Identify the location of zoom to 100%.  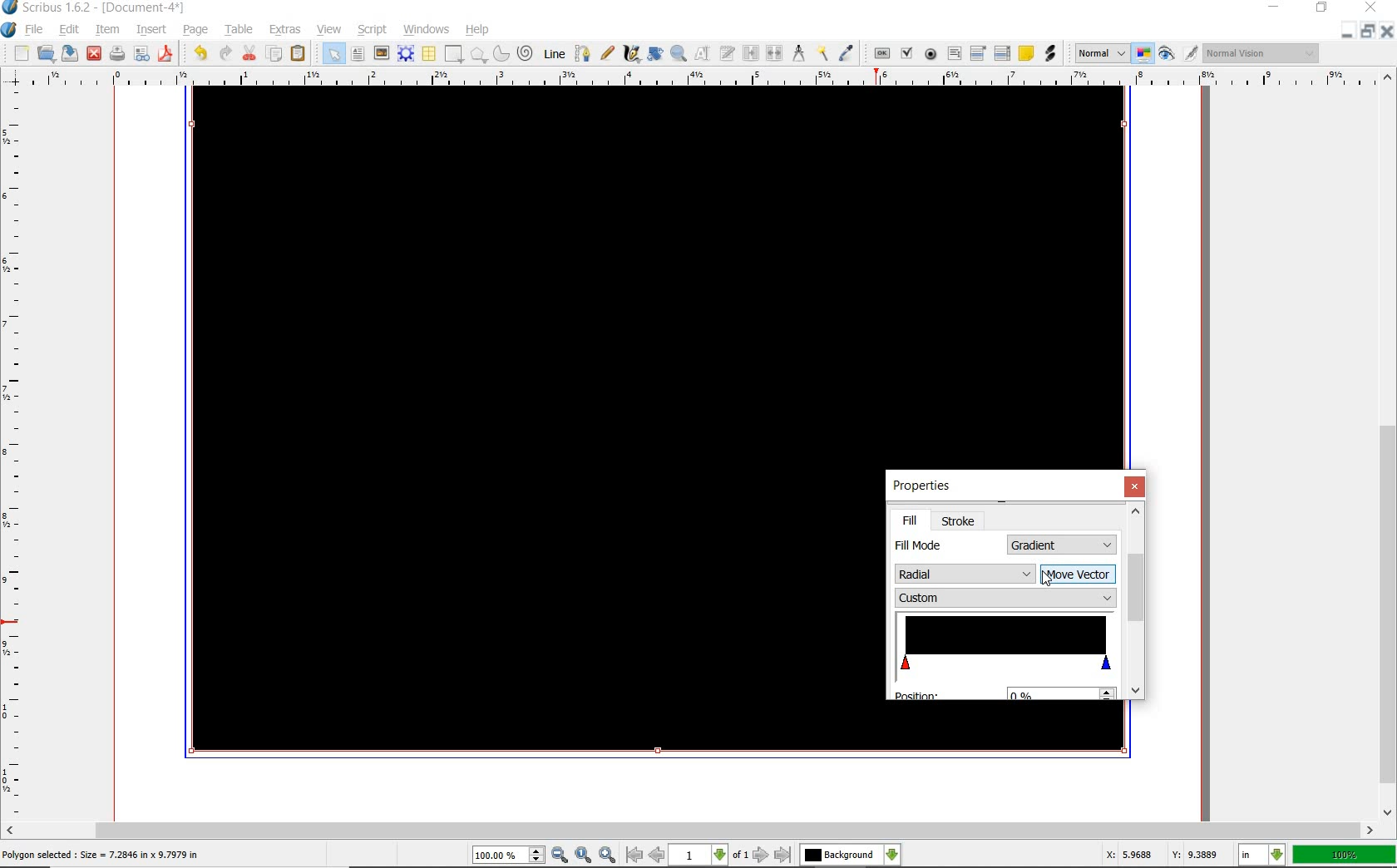
(585, 855).